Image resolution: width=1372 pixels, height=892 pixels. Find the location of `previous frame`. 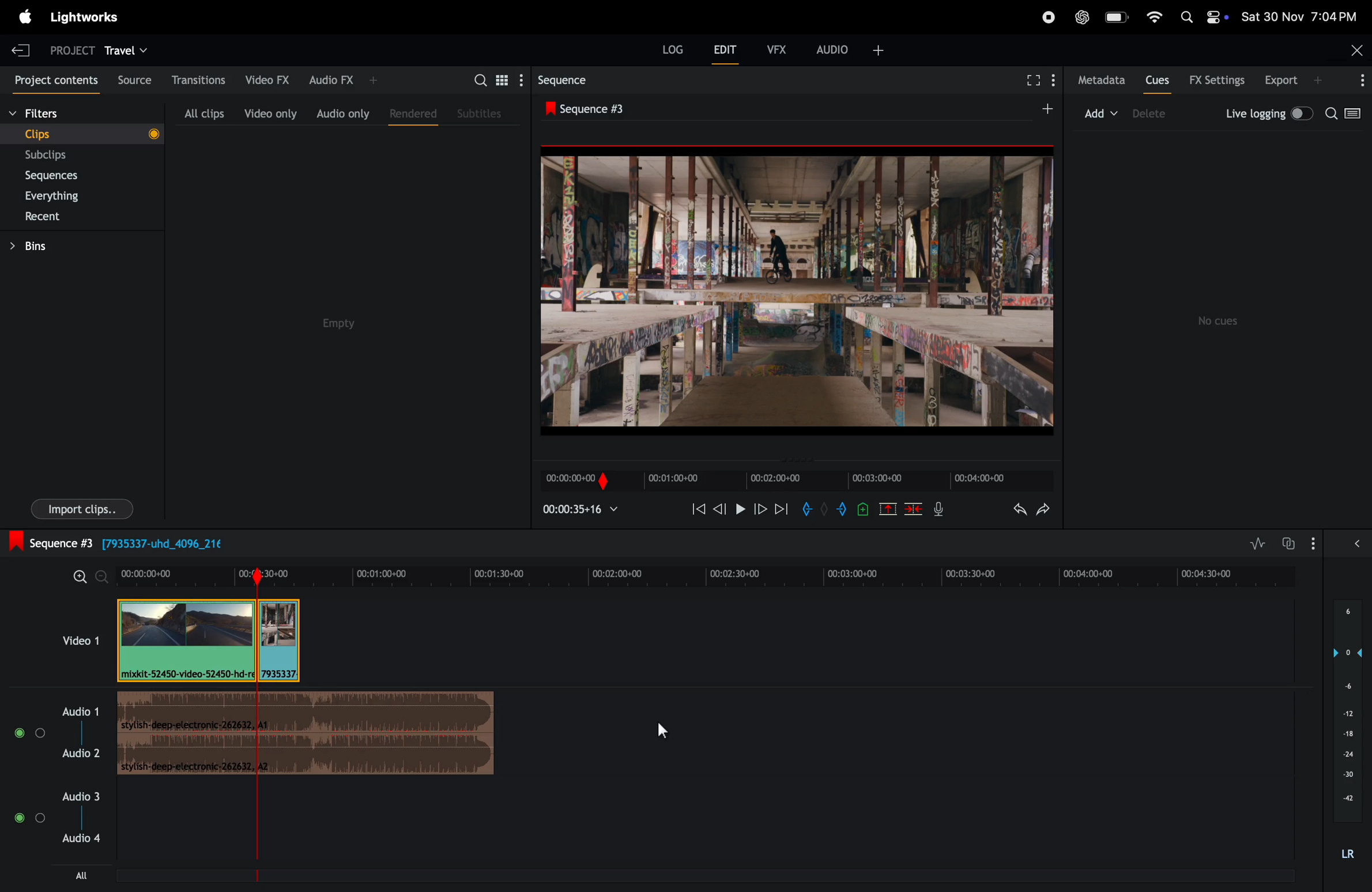

previous frame is located at coordinates (696, 509).